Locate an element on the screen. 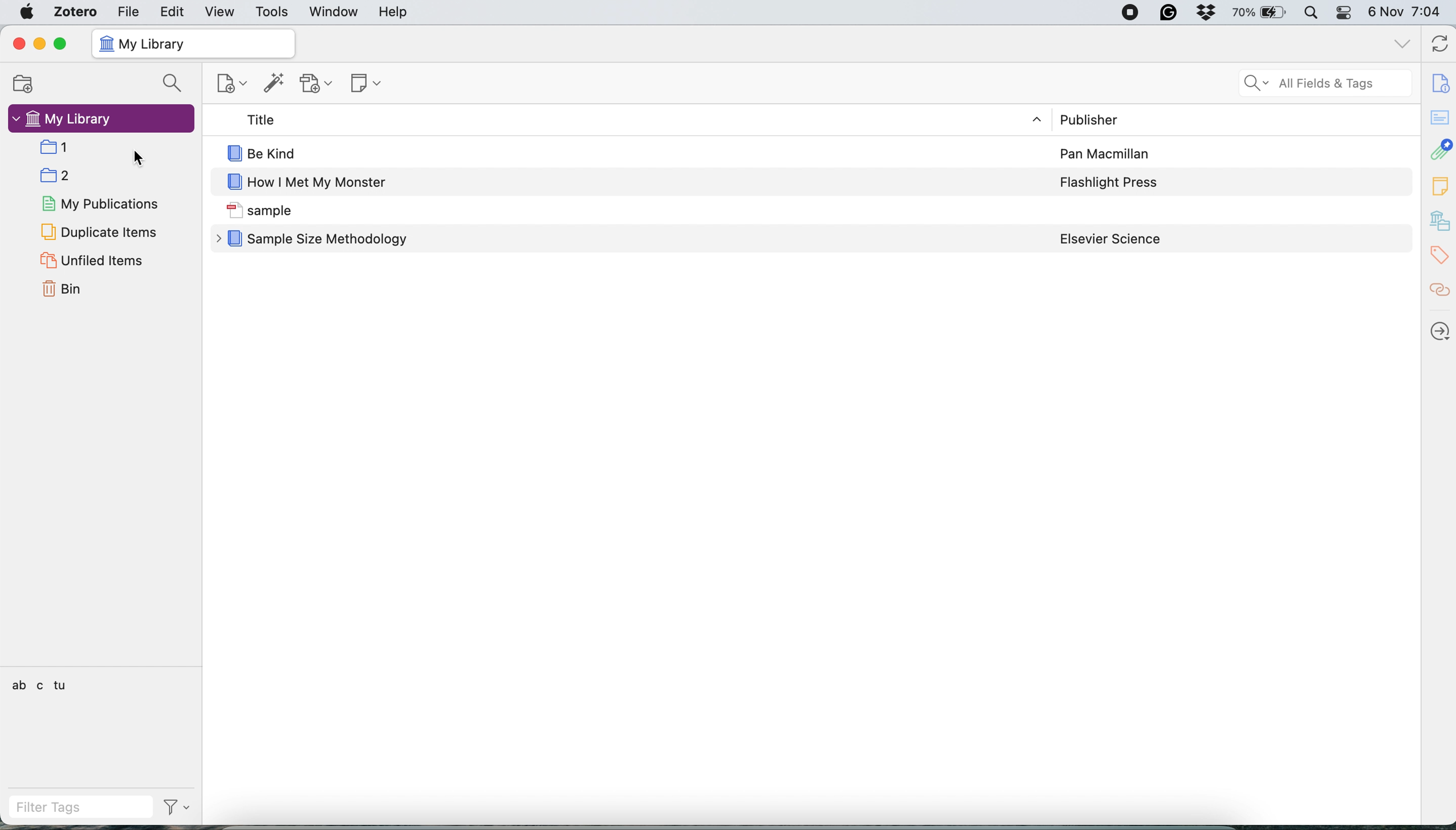  grammarly is located at coordinates (1169, 13).